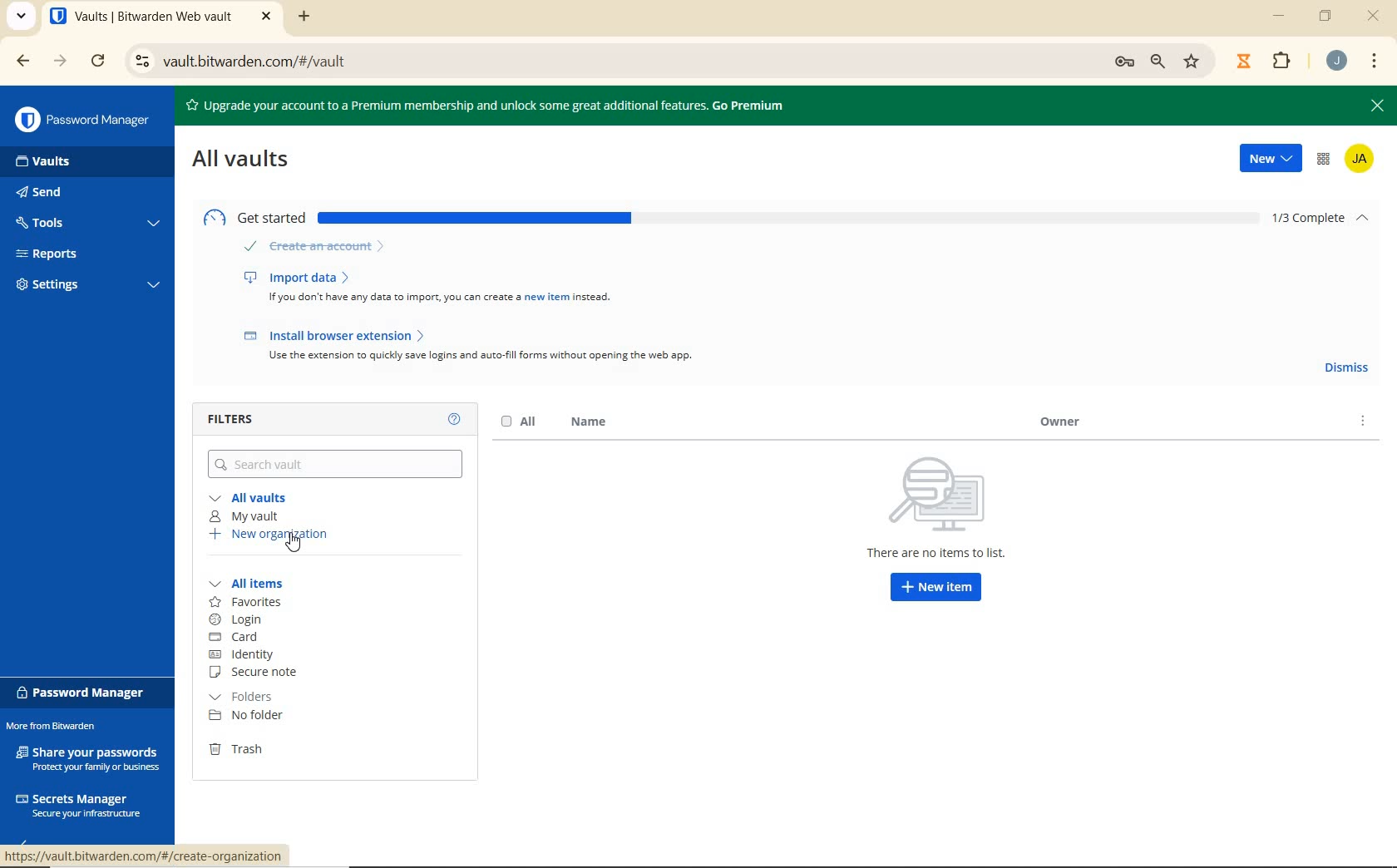 The height and width of the screenshot is (868, 1397). Describe the element at coordinates (432, 285) in the screenshot. I see `import data` at that location.